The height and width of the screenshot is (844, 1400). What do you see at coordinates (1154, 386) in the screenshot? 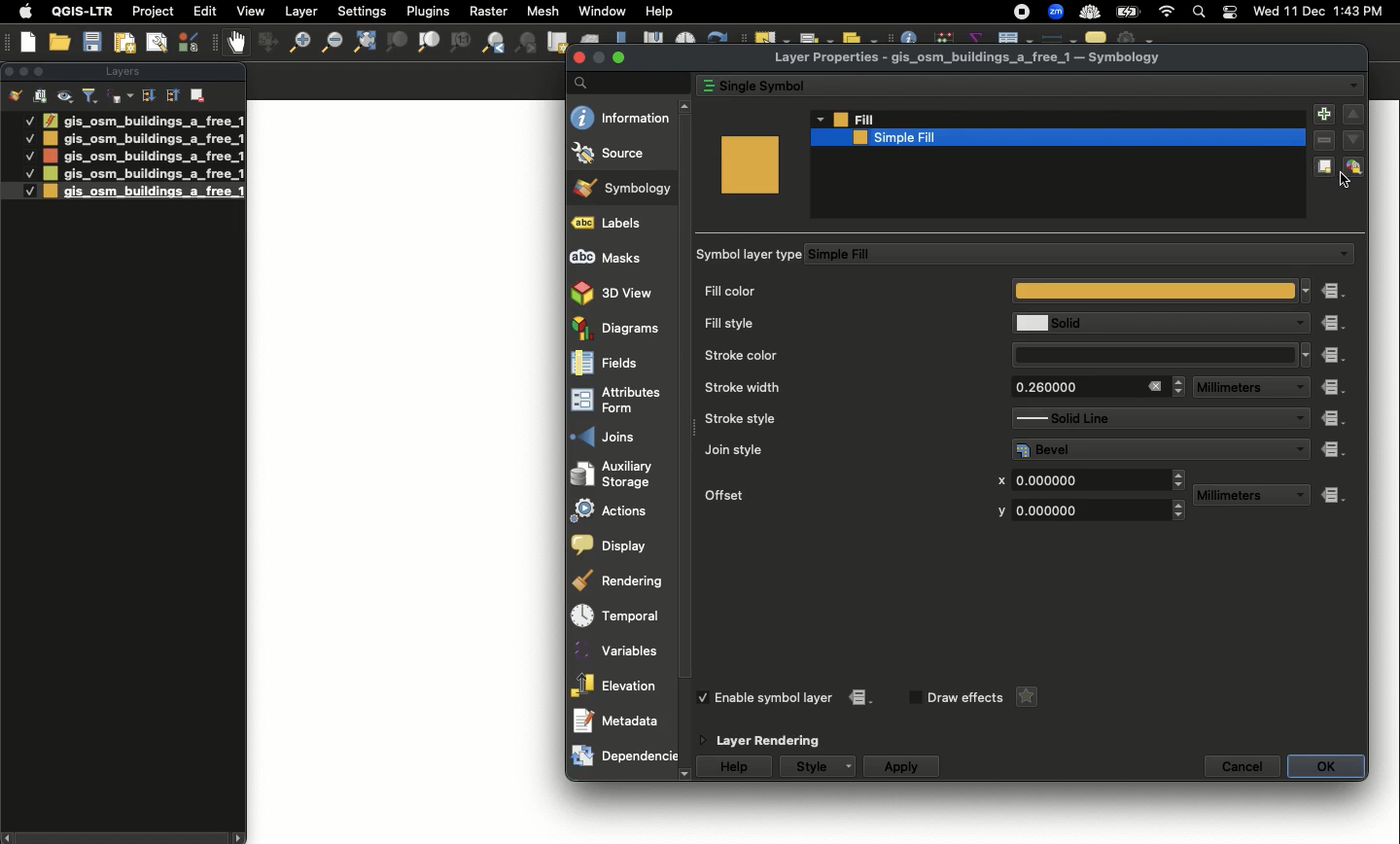
I see `Close` at bounding box center [1154, 386].